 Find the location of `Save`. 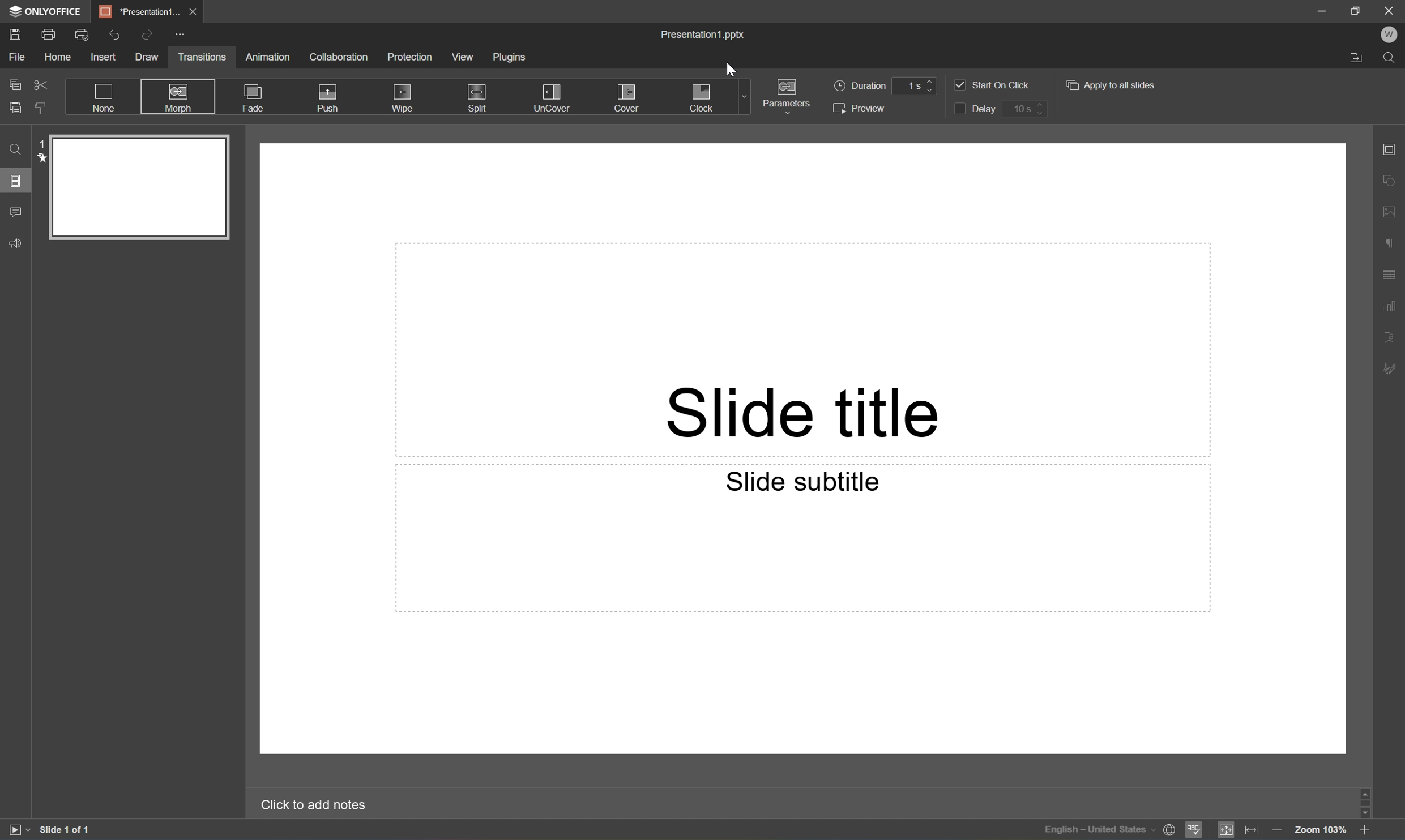

Save is located at coordinates (14, 36).